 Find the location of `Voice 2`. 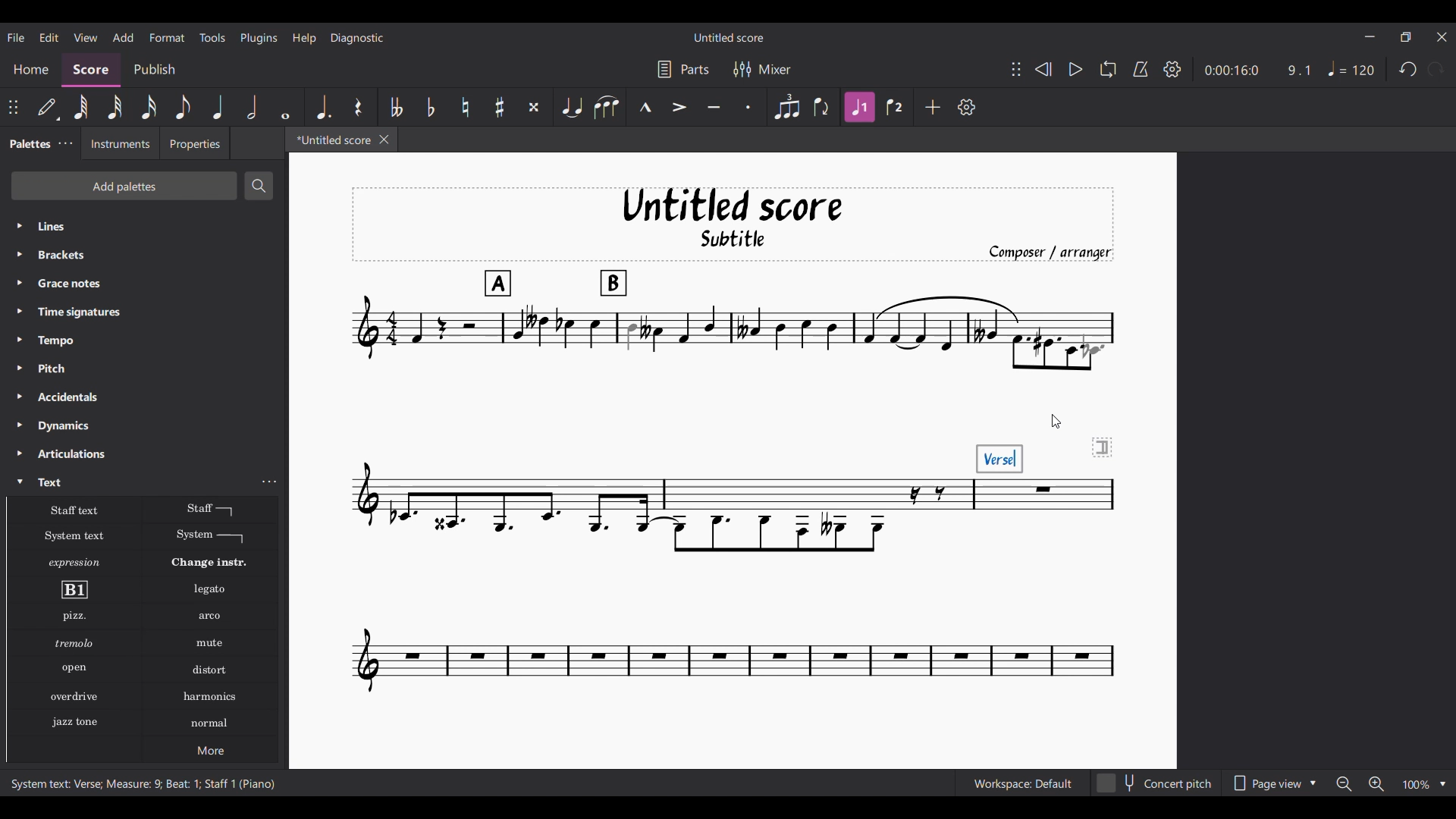

Voice 2 is located at coordinates (895, 107).